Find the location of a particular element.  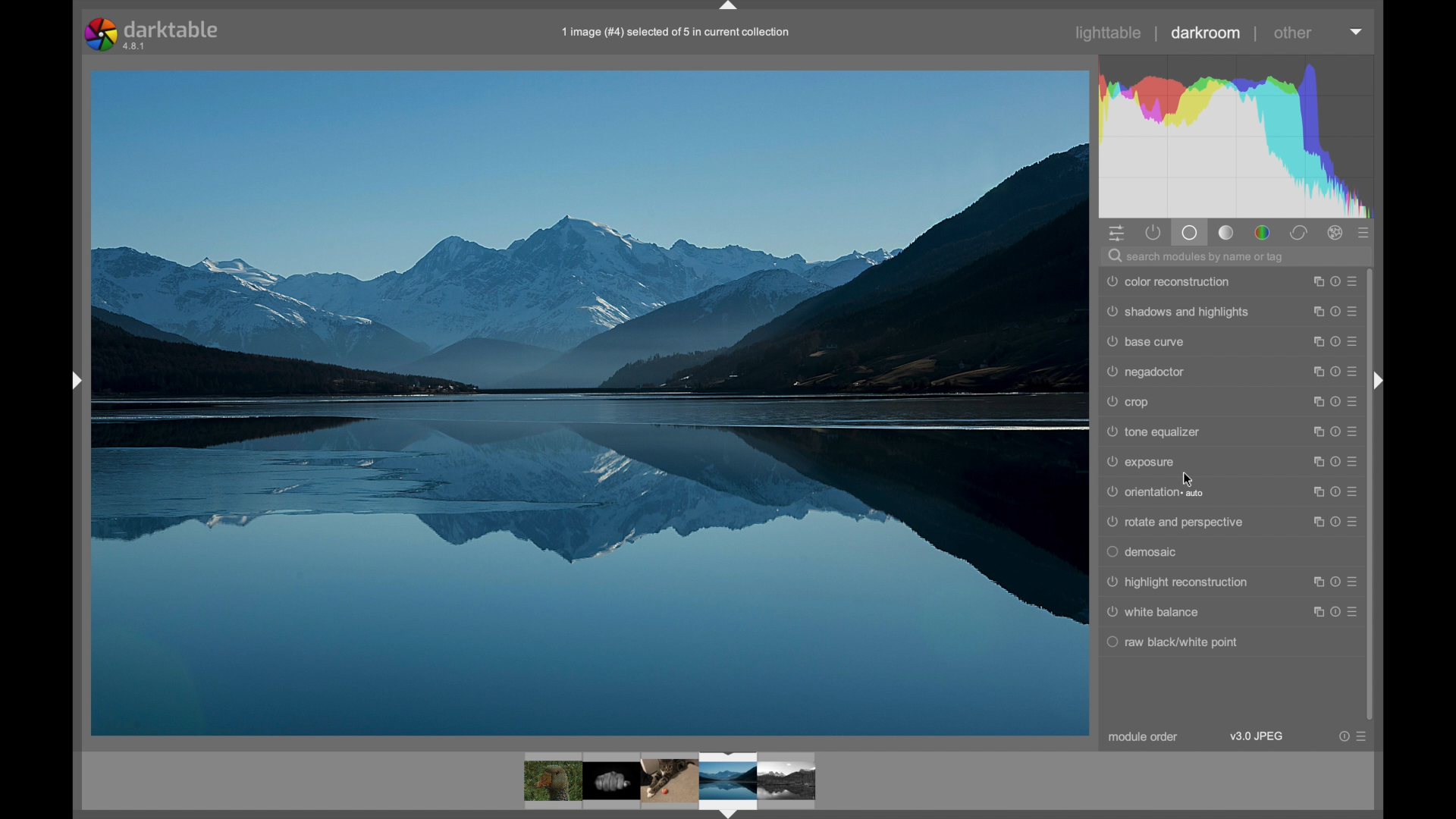

more options is located at coordinates (1337, 582).